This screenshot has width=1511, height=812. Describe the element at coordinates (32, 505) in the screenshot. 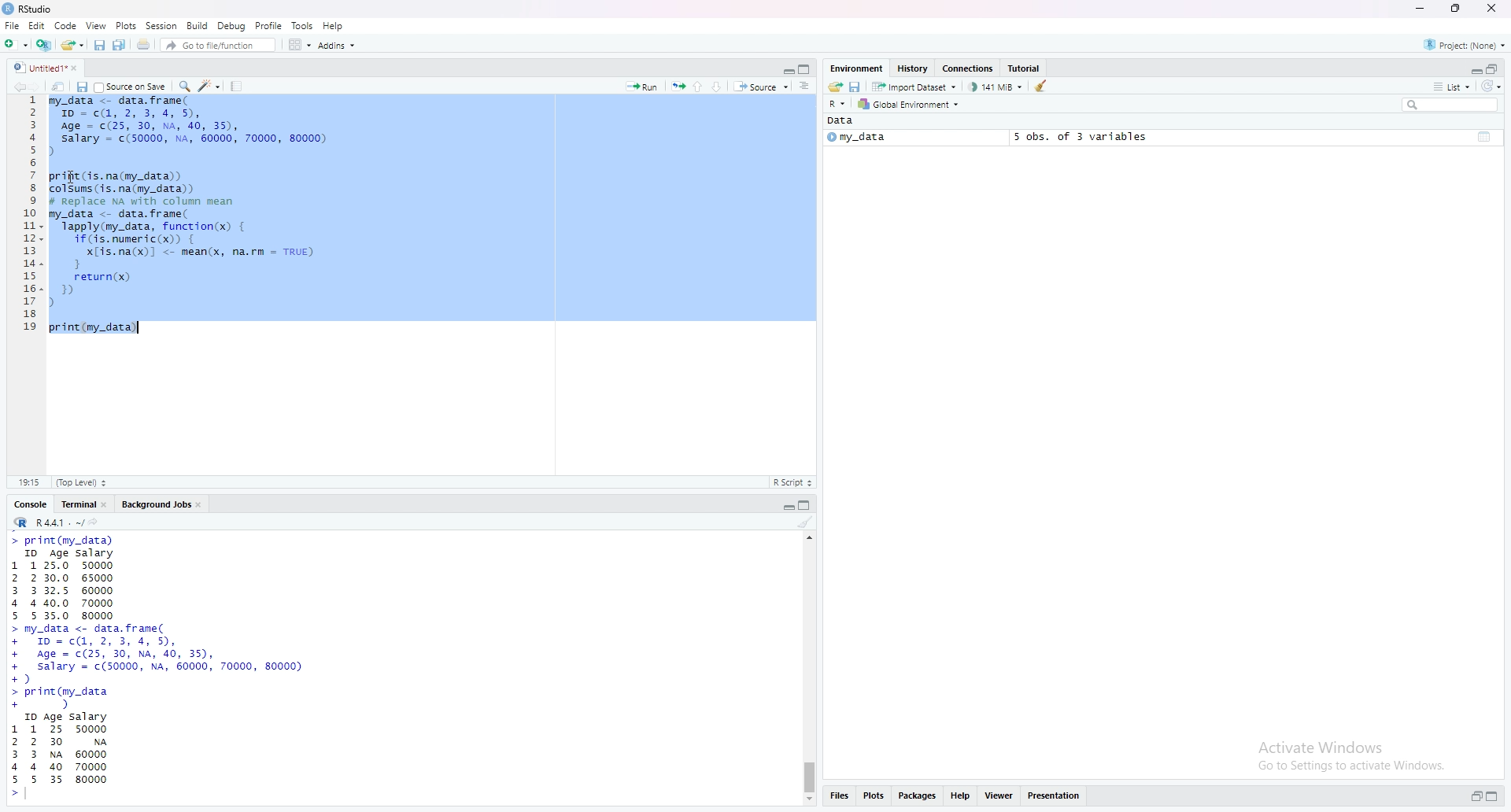

I see `console` at that location.